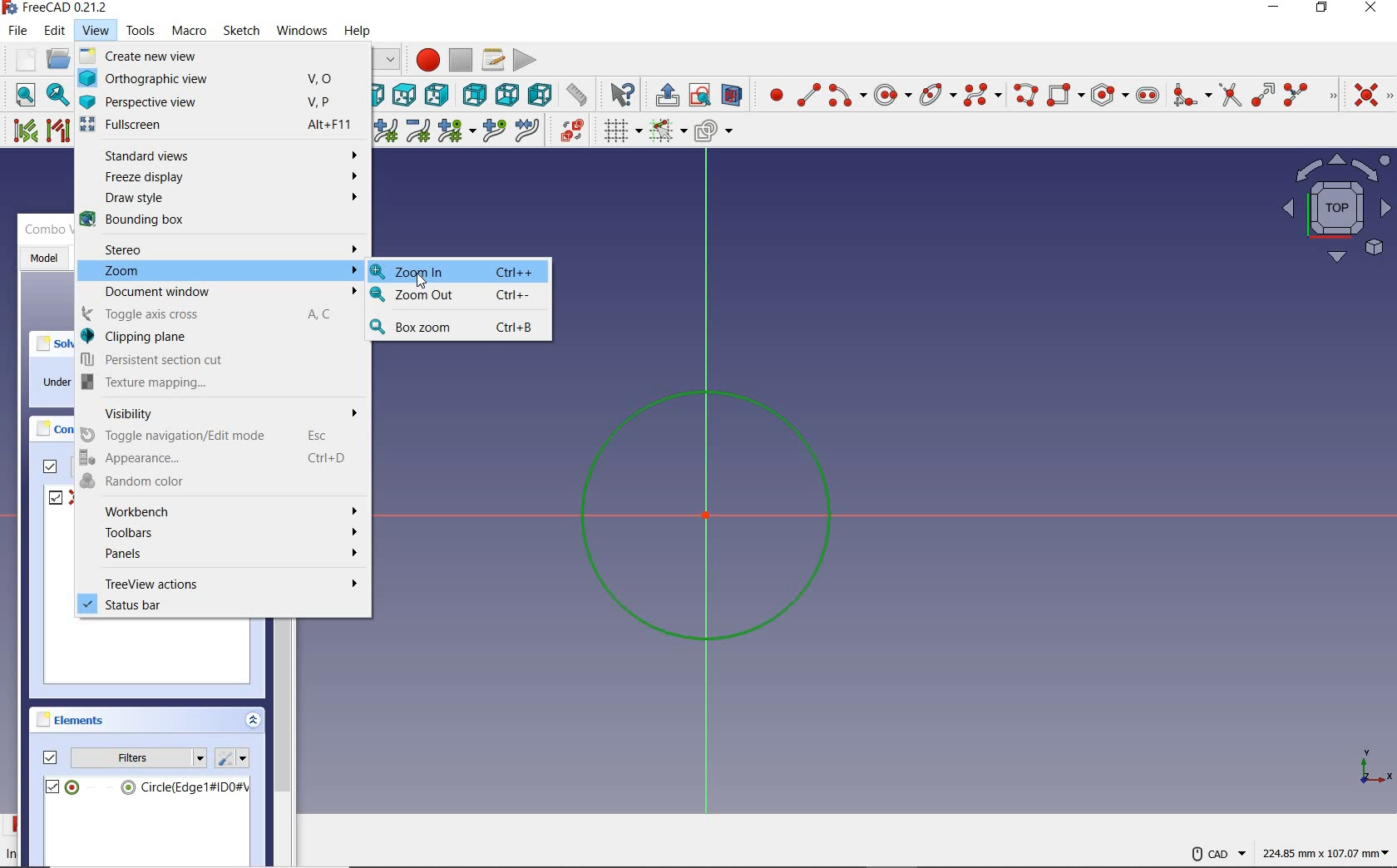 This screenshot has height=868, width=1397. I want to click on decrease B-Spline degree, so click(417, 131).